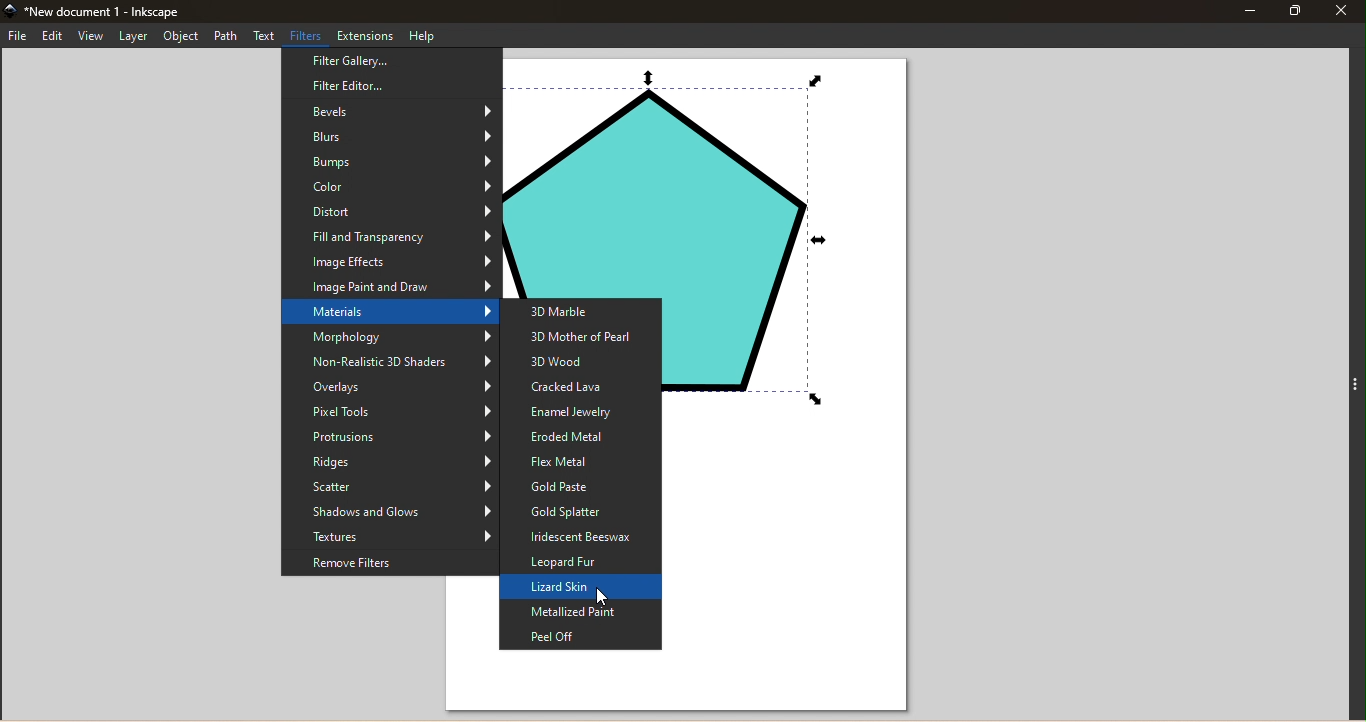  Describe the element at coordinates (389, 512) in the screenshot. I see `Shadows and Glows` at that location.